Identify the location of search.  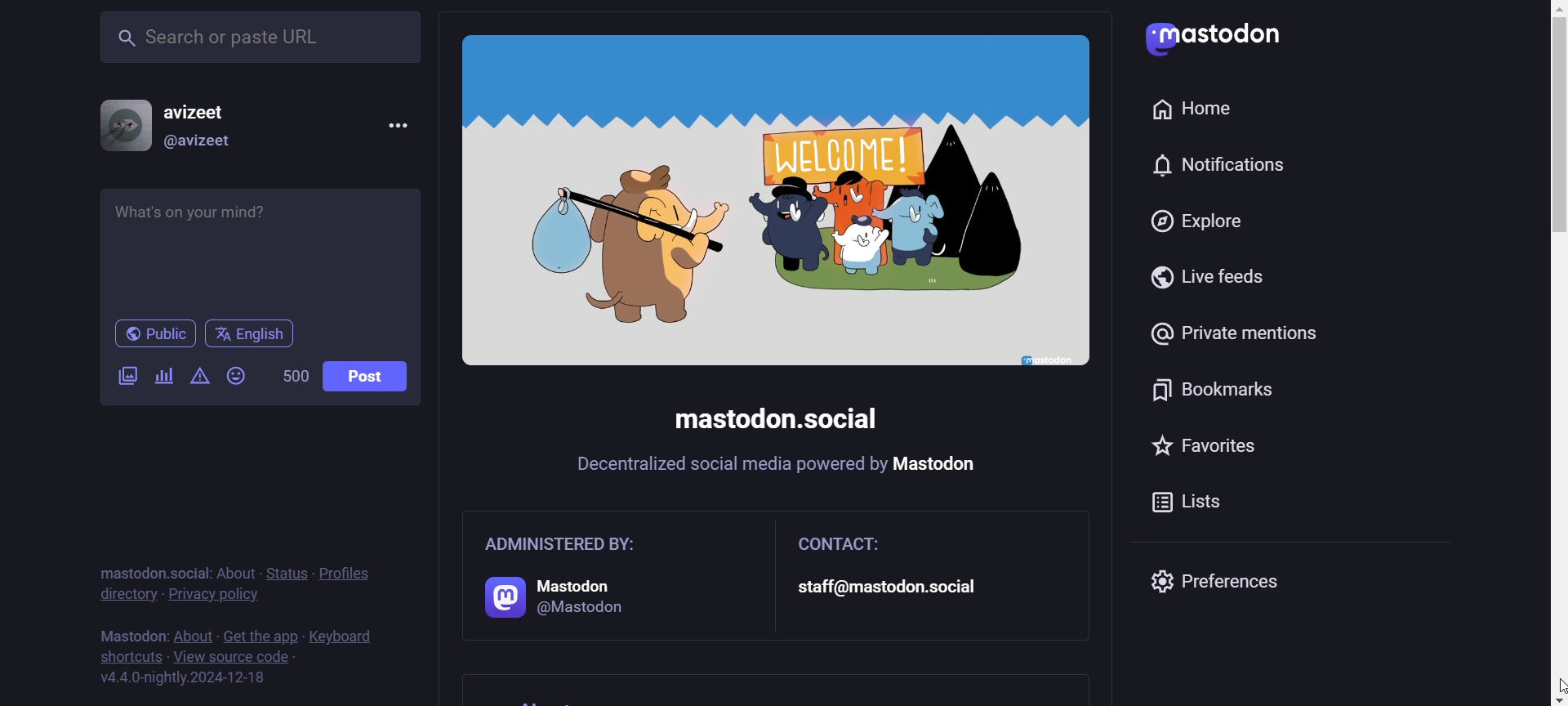
(257, 34).